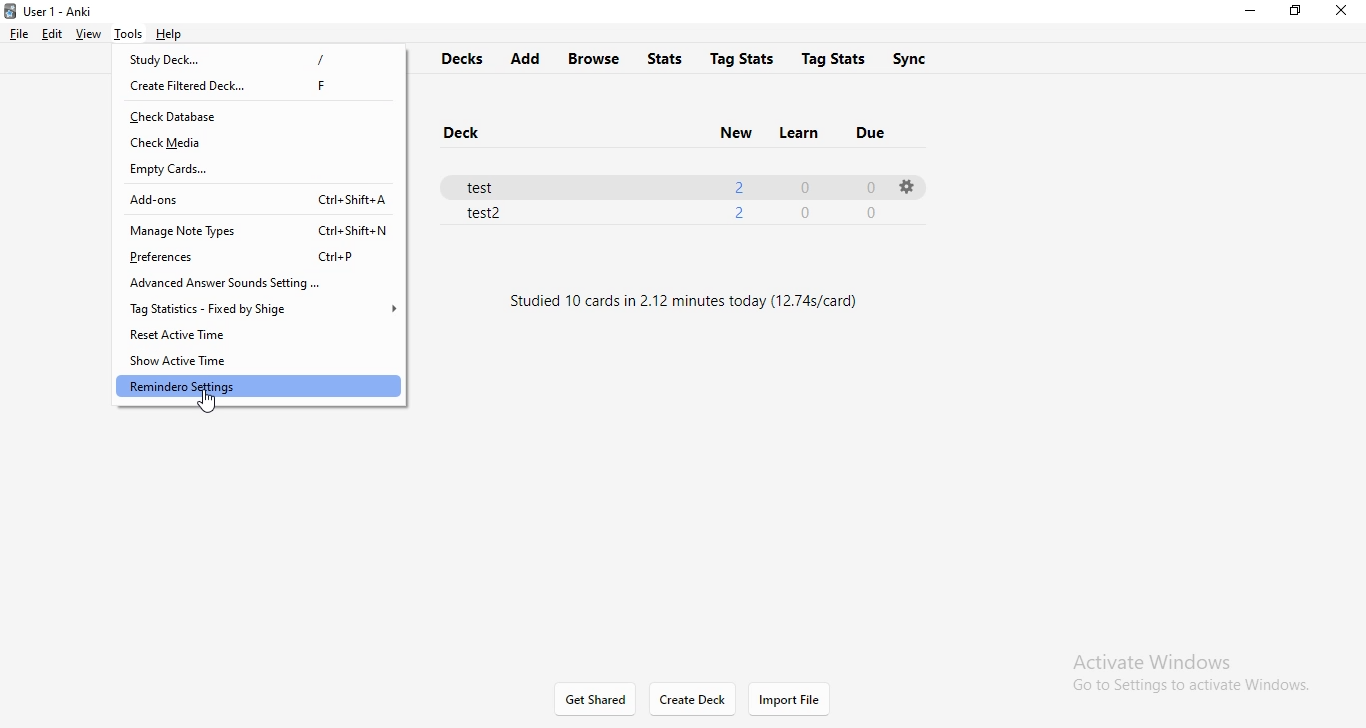 The image size is (1366, 728). Describe the element at coordinates (597, 700) in the screenshot. I see `get shared` at that location.